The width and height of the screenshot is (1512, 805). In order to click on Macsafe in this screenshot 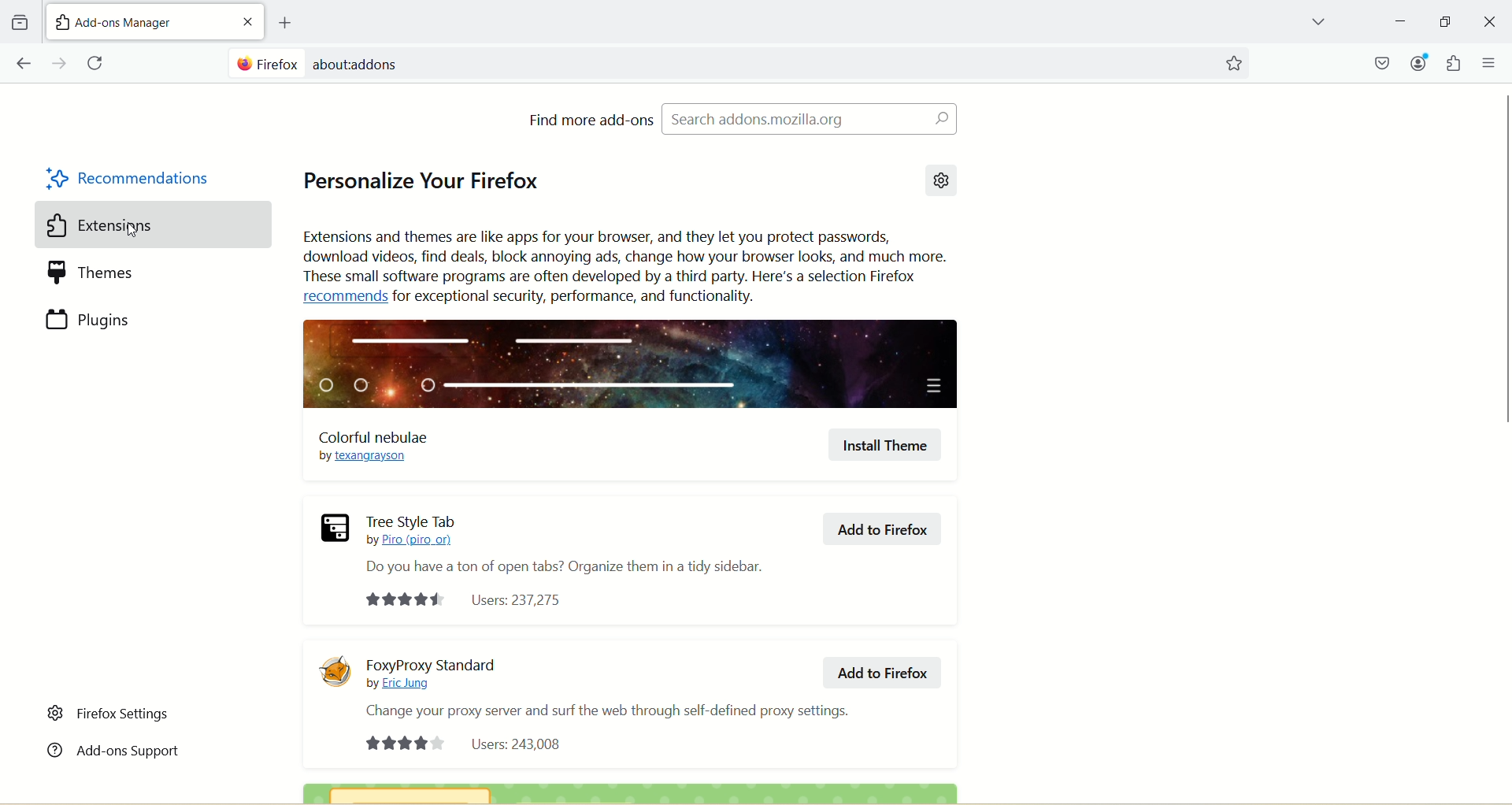, I will do `click(1384, 62)`.